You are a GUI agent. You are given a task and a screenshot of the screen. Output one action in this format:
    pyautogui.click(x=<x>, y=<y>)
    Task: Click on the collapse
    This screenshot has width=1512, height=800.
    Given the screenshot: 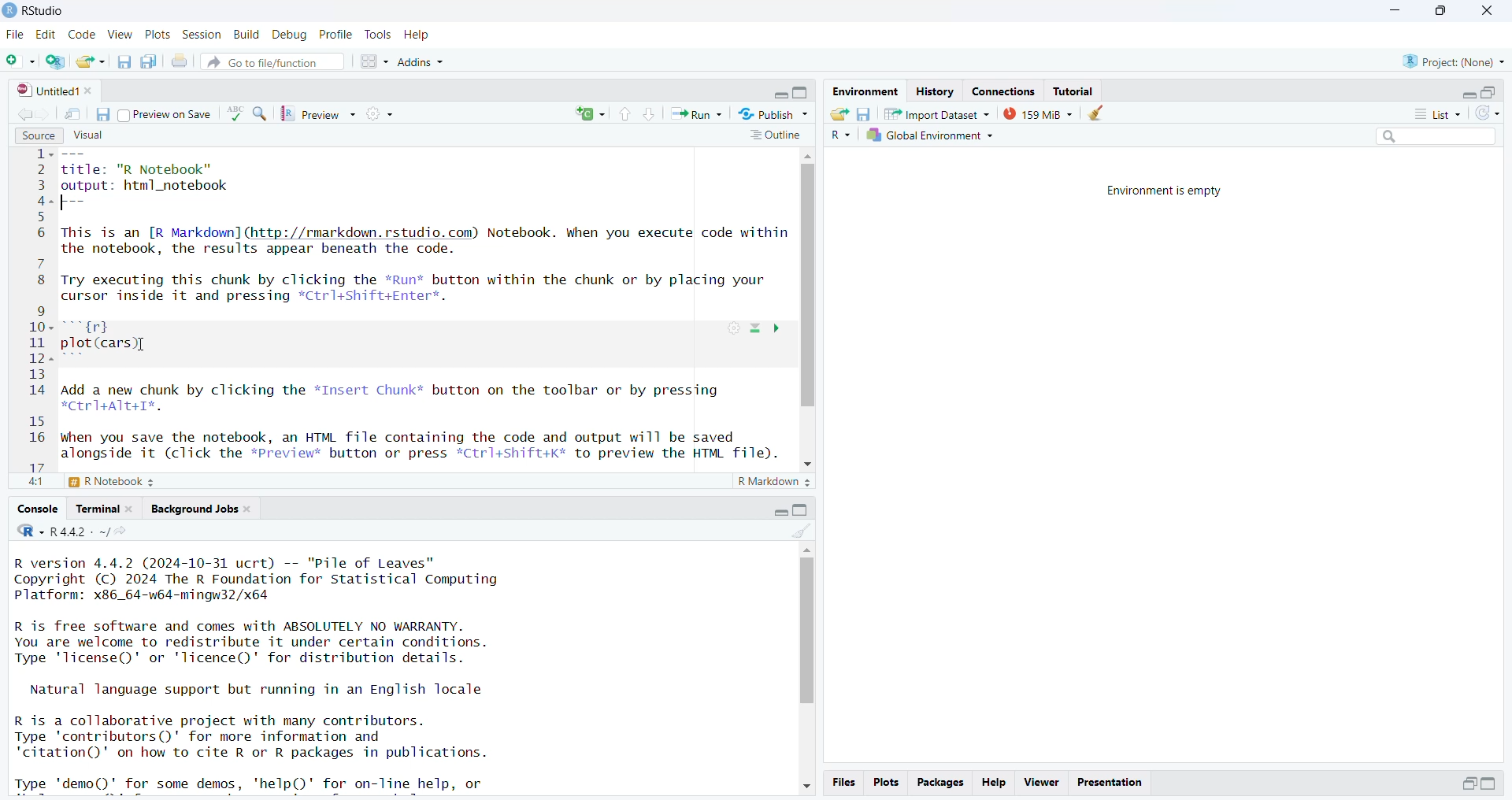 What is the action you would take?
    pyautogui.click(x=802, y=94)
    